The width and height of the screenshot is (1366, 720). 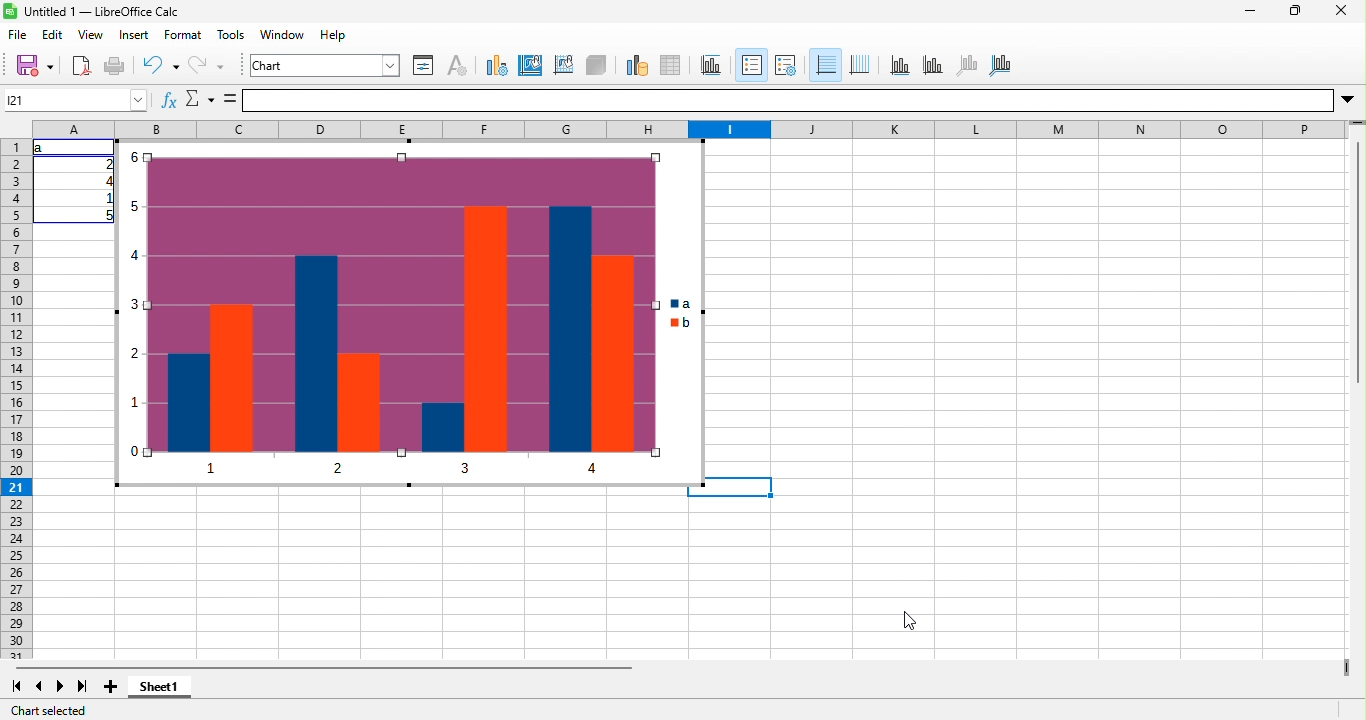 What do you see at coordinates (410, 313) in the screenshot?
I see `custom color palette added to column chart` at bounding box center [410, 313].